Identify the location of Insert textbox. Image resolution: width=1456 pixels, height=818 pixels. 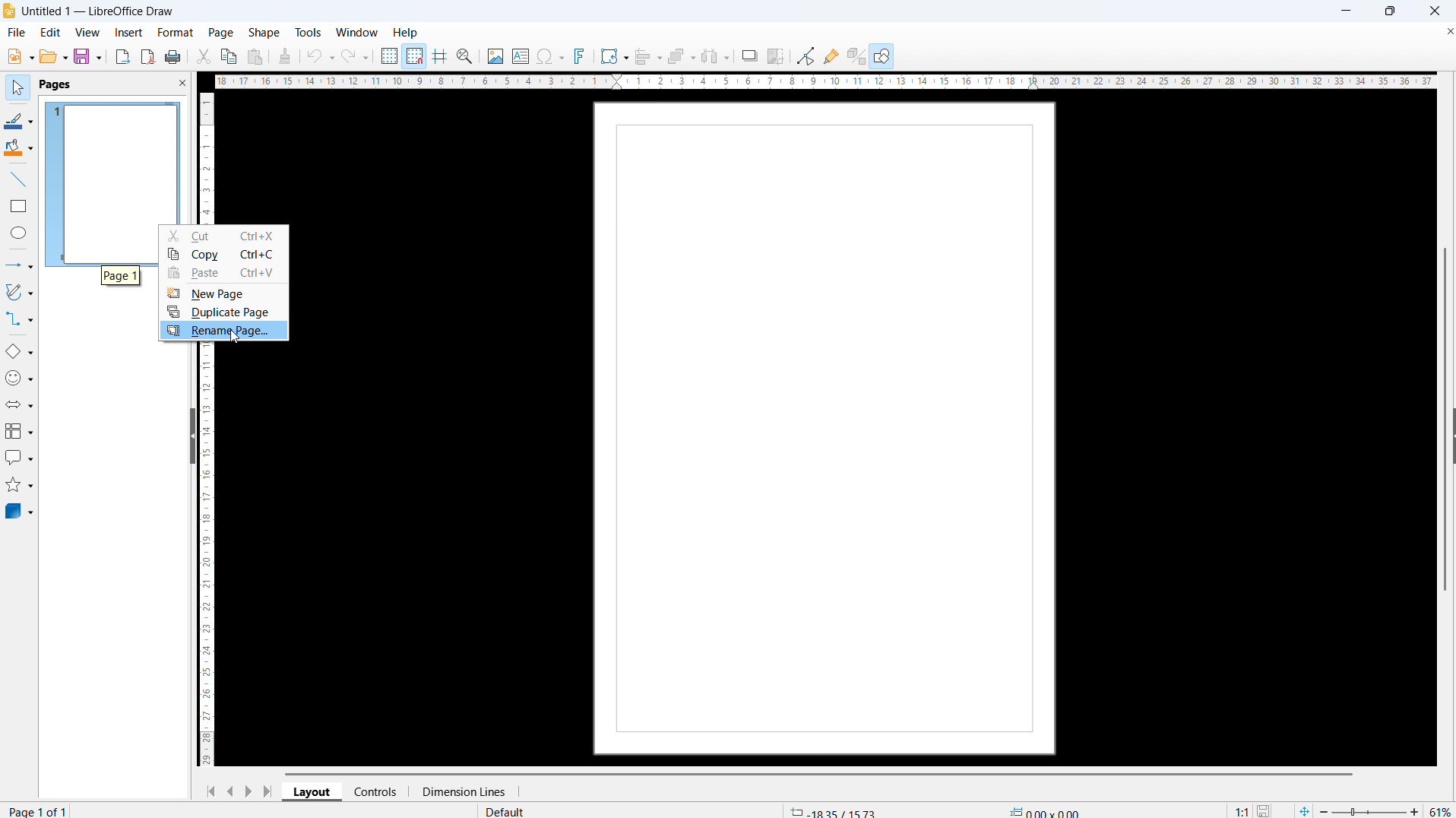
(521, 56).